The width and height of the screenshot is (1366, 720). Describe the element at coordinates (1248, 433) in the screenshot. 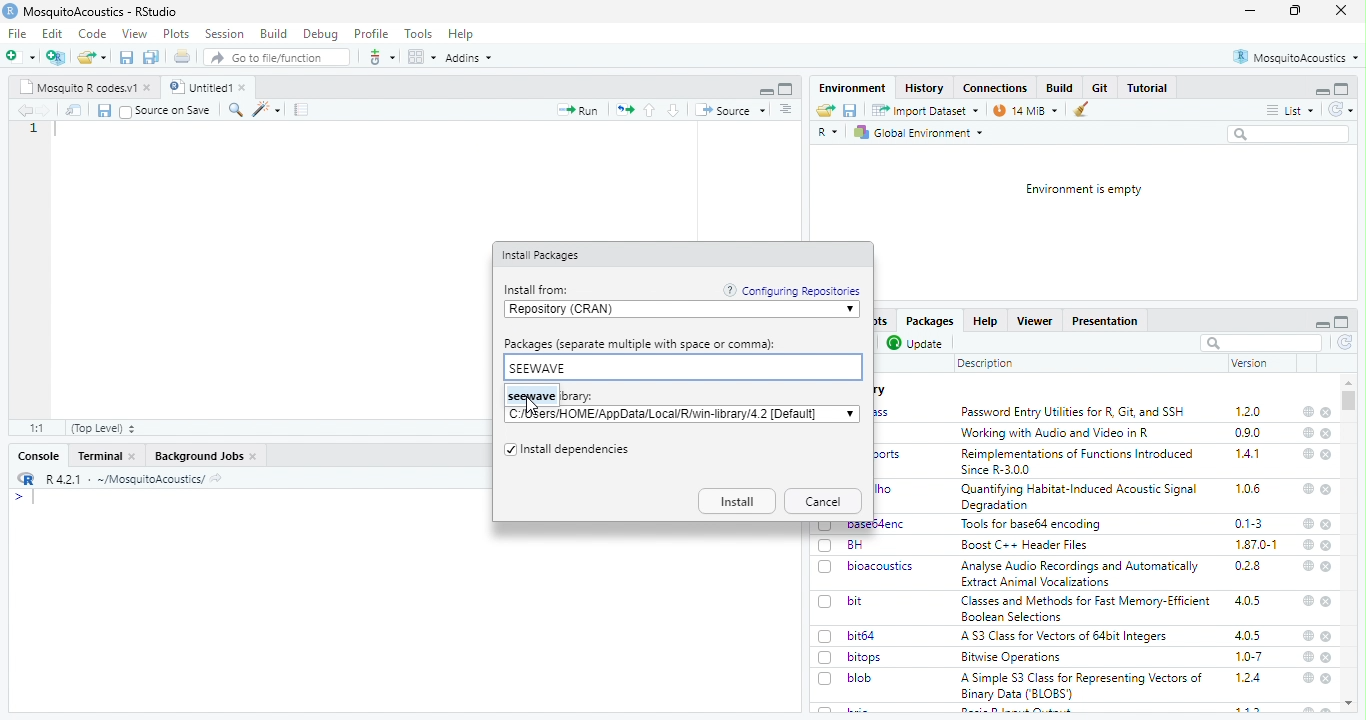

I see `09.0` at that location.